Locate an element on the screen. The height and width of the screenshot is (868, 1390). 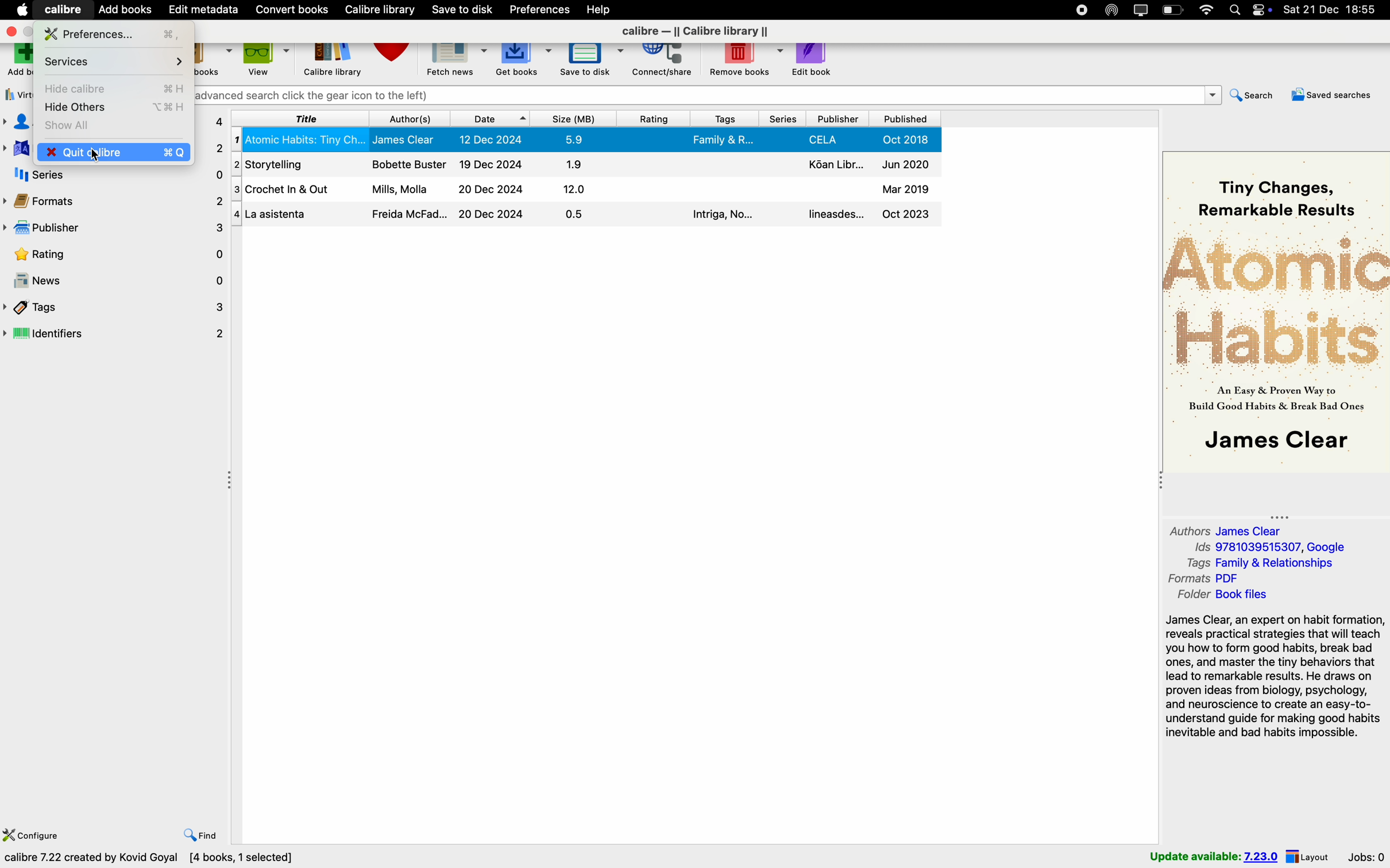
battery is located at coordinates (1173, 10).